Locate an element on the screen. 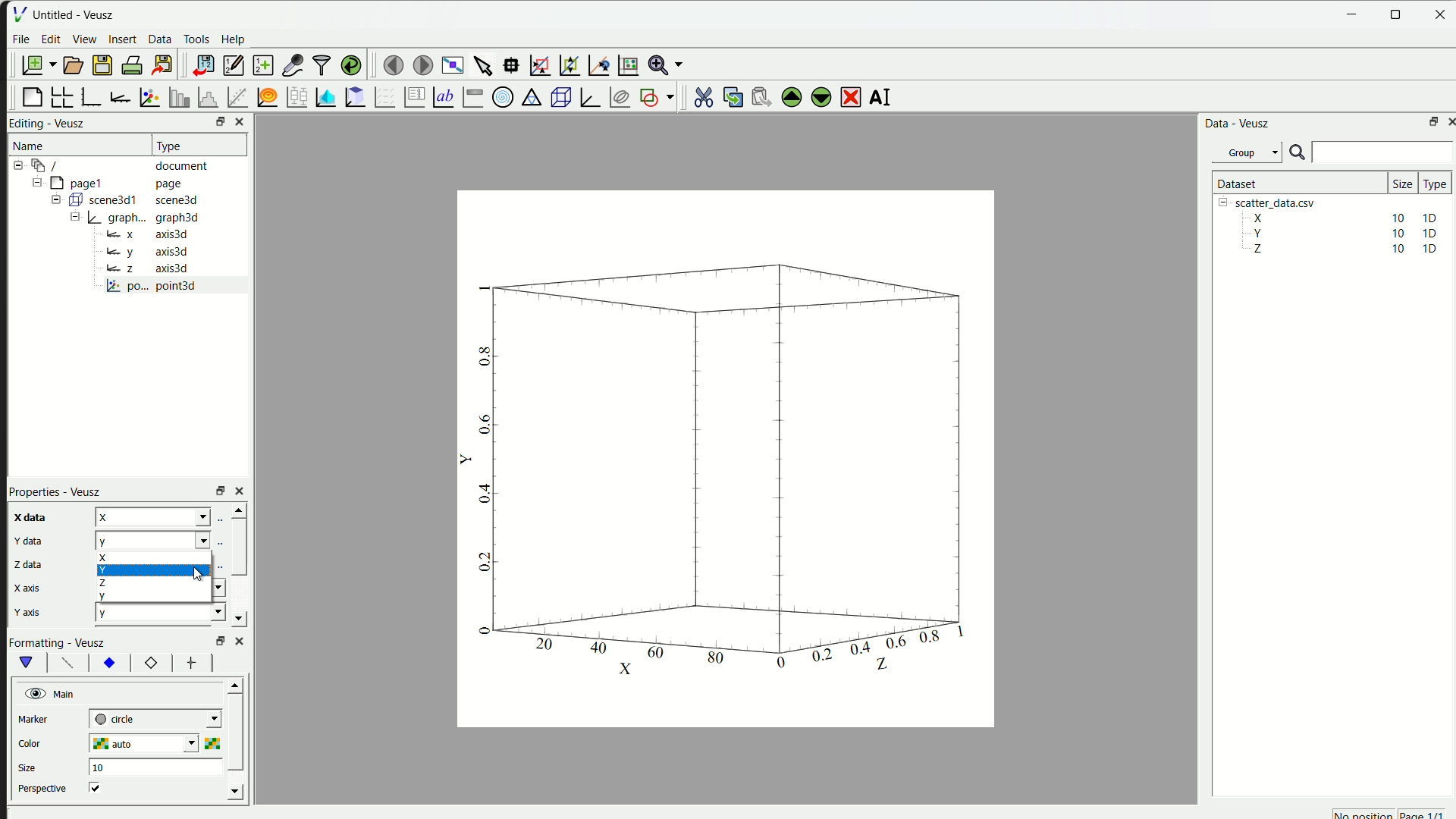  Name is located at coordinates (30, 143).